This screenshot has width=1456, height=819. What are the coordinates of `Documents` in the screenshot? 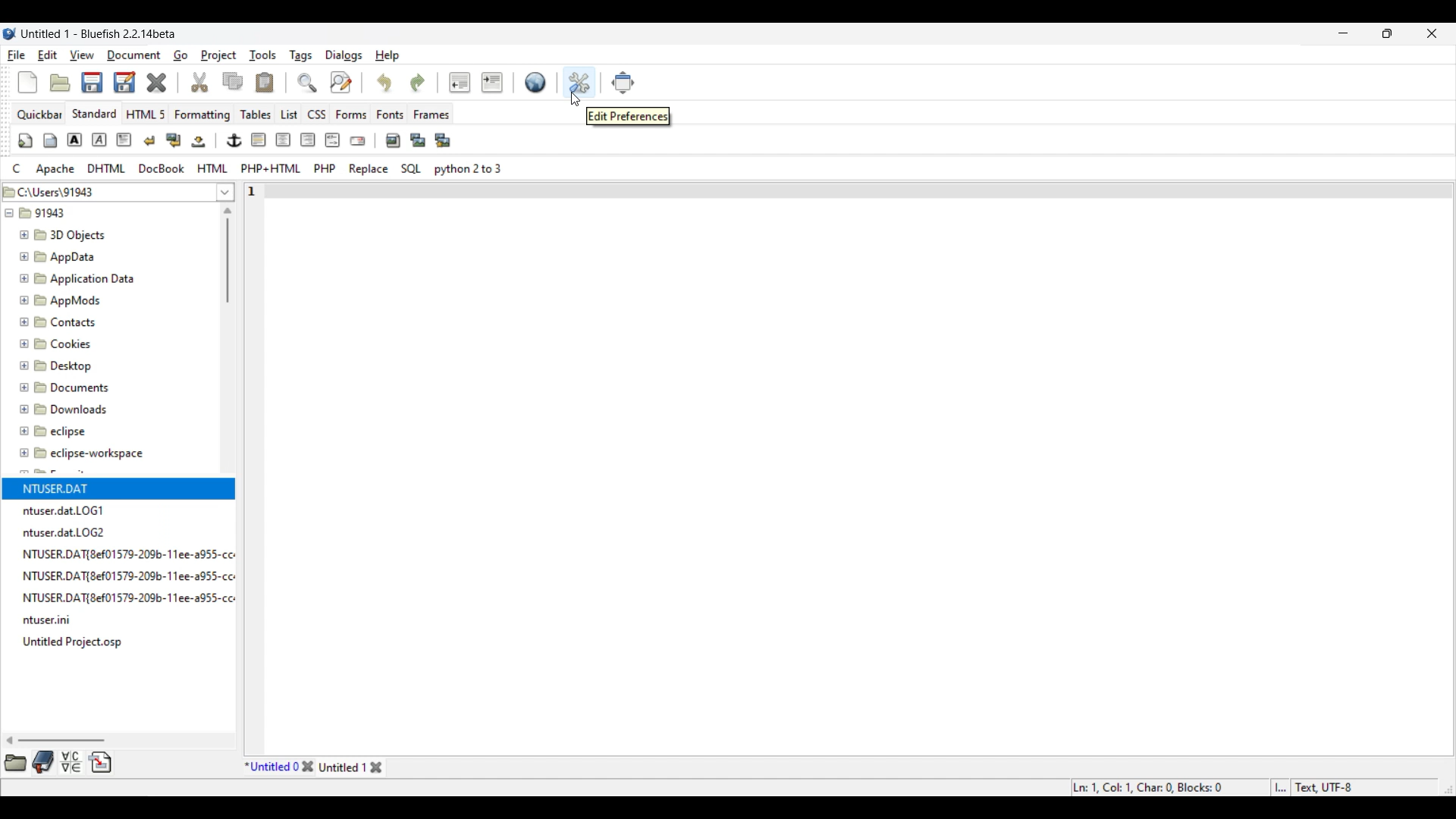 It's located at (72, 386).